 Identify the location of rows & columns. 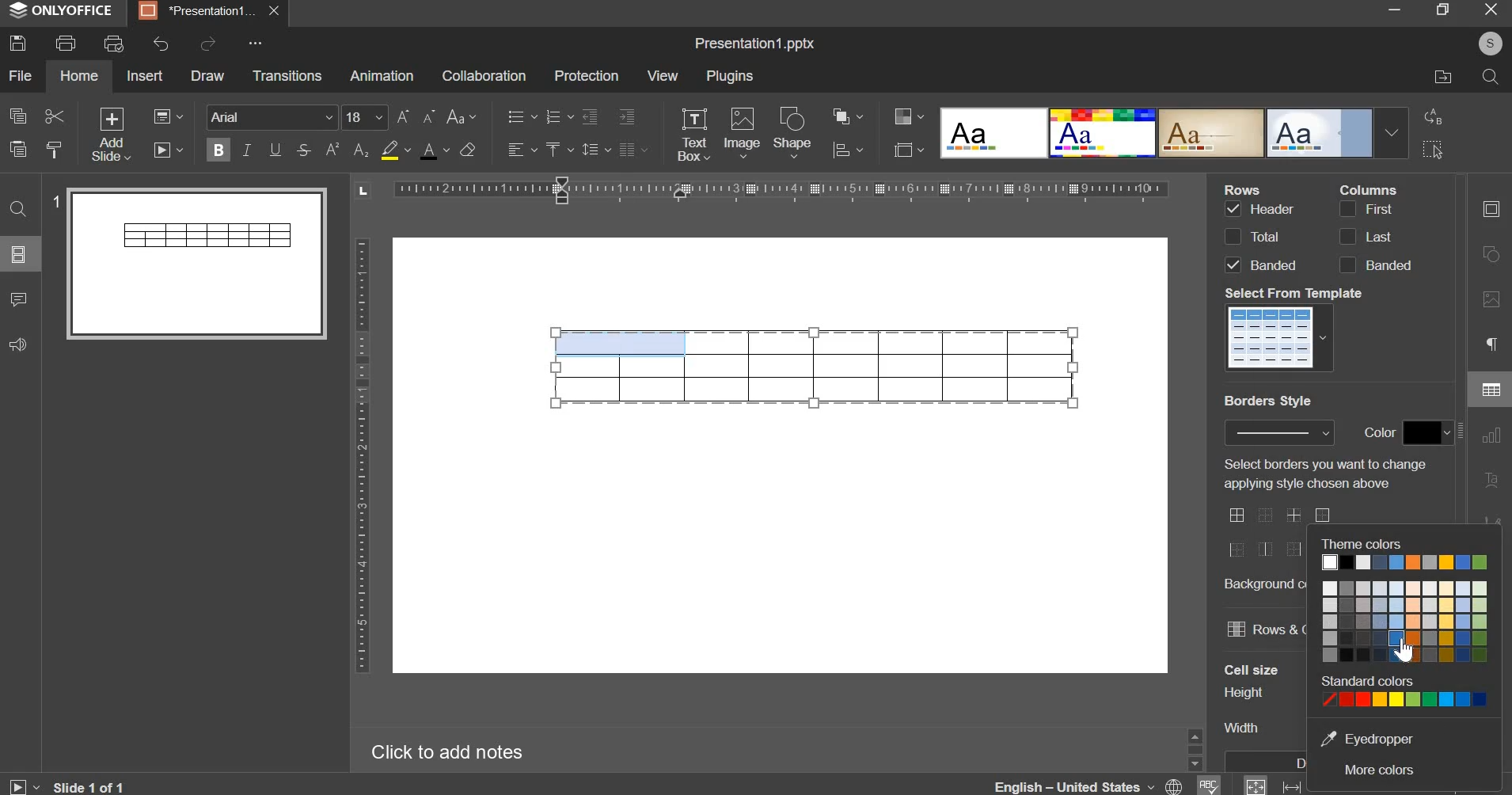
(1264, 627).